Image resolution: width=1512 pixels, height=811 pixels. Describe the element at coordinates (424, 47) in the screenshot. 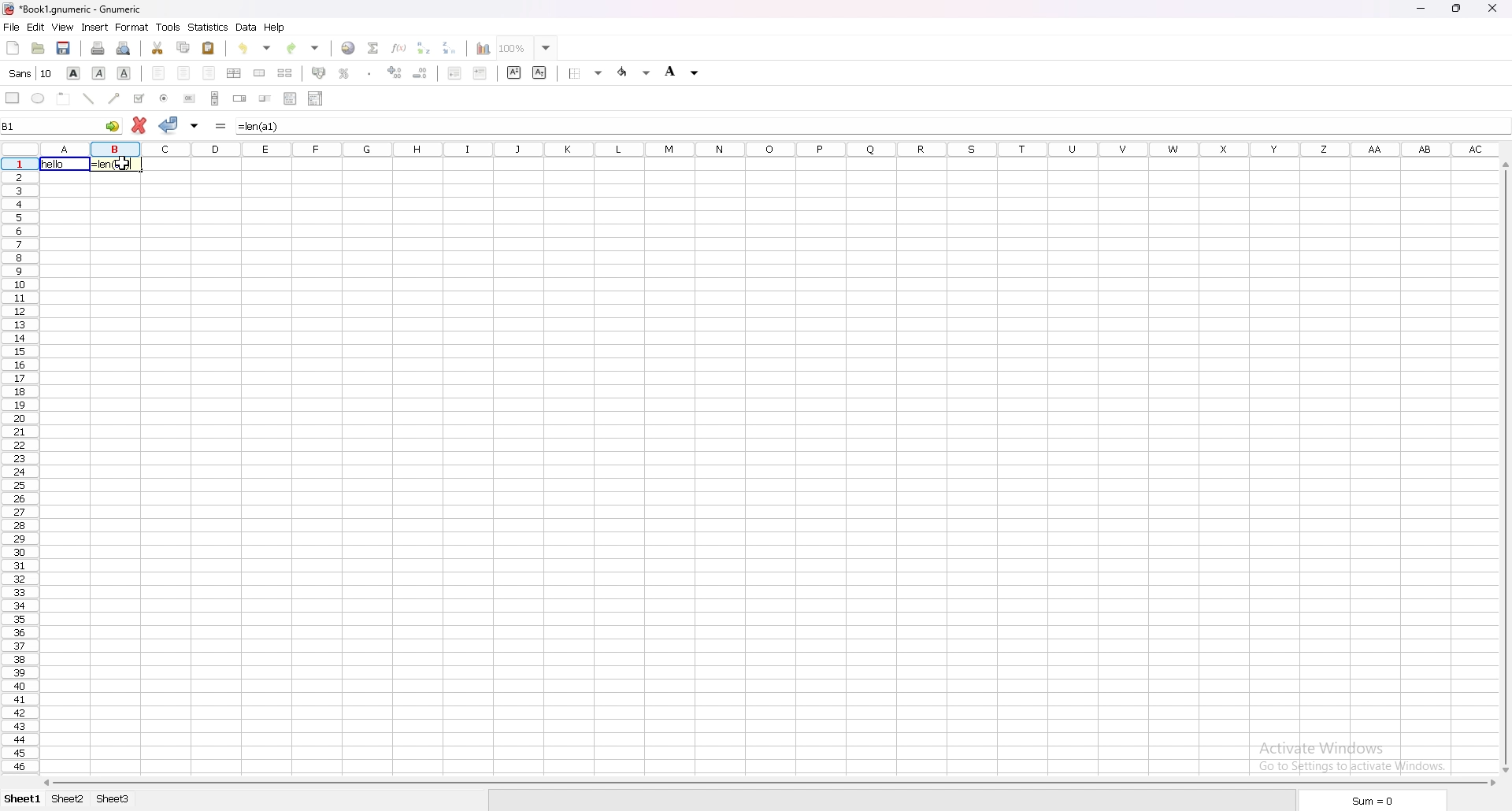

I see `sort ascending` at that location.